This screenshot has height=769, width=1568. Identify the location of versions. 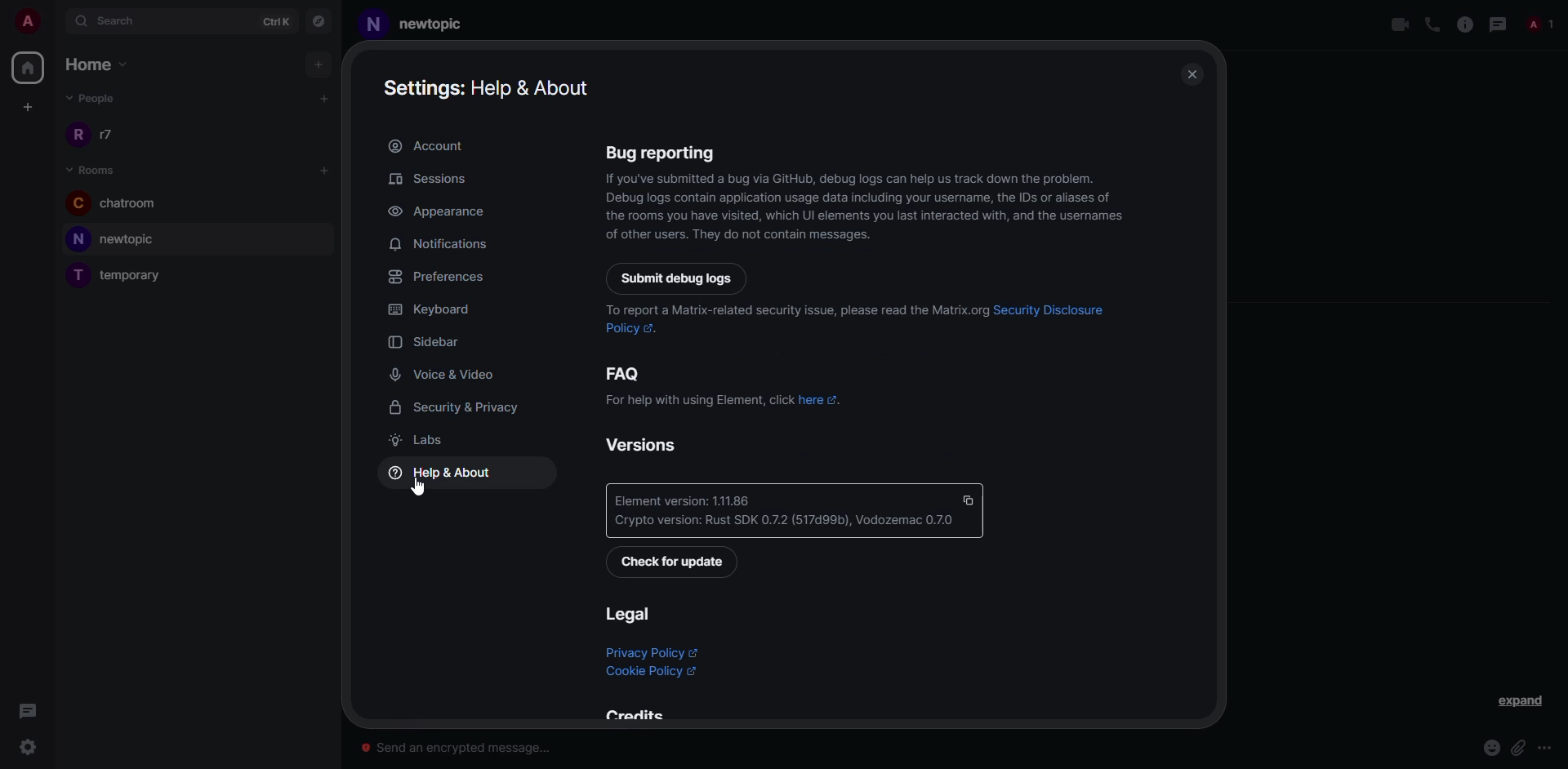
(639, 447).